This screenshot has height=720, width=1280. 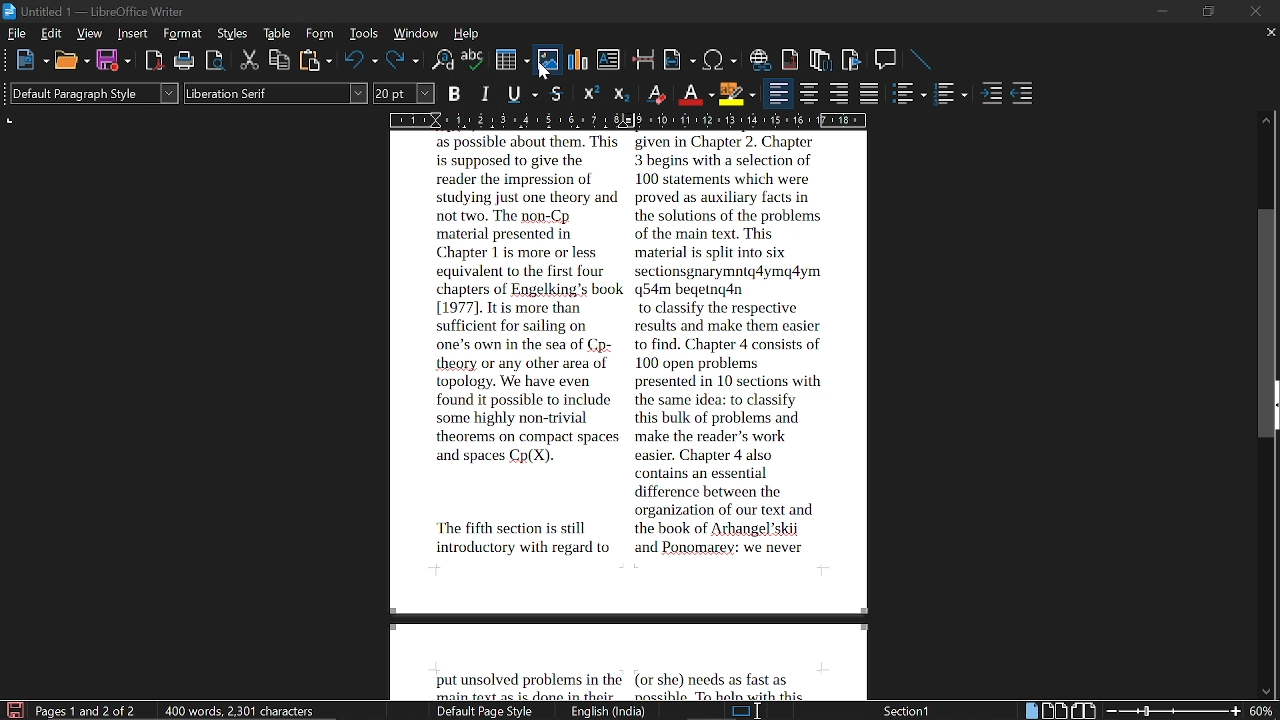 What do you see at coordinates (610, 60) in the screenshot?
I see `insert text` at bounding box center [610, 60].